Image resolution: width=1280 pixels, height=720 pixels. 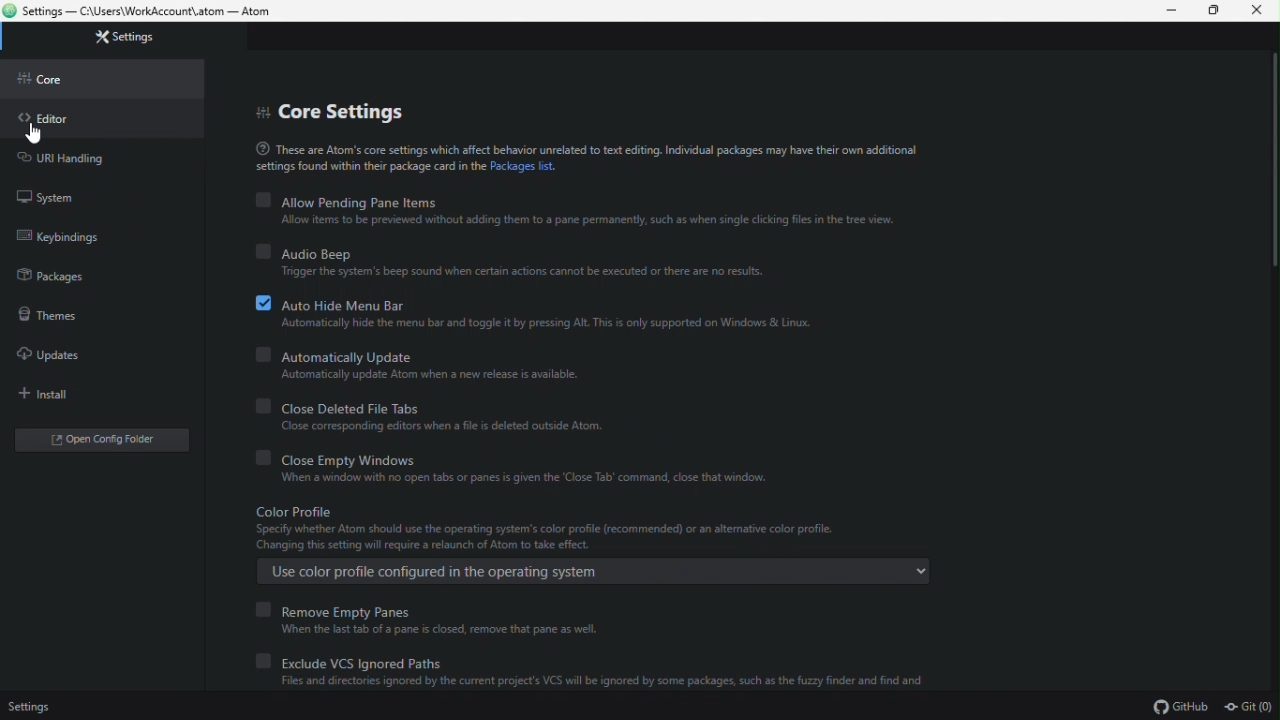 I want to click on github, so click(x=1182, y=707).